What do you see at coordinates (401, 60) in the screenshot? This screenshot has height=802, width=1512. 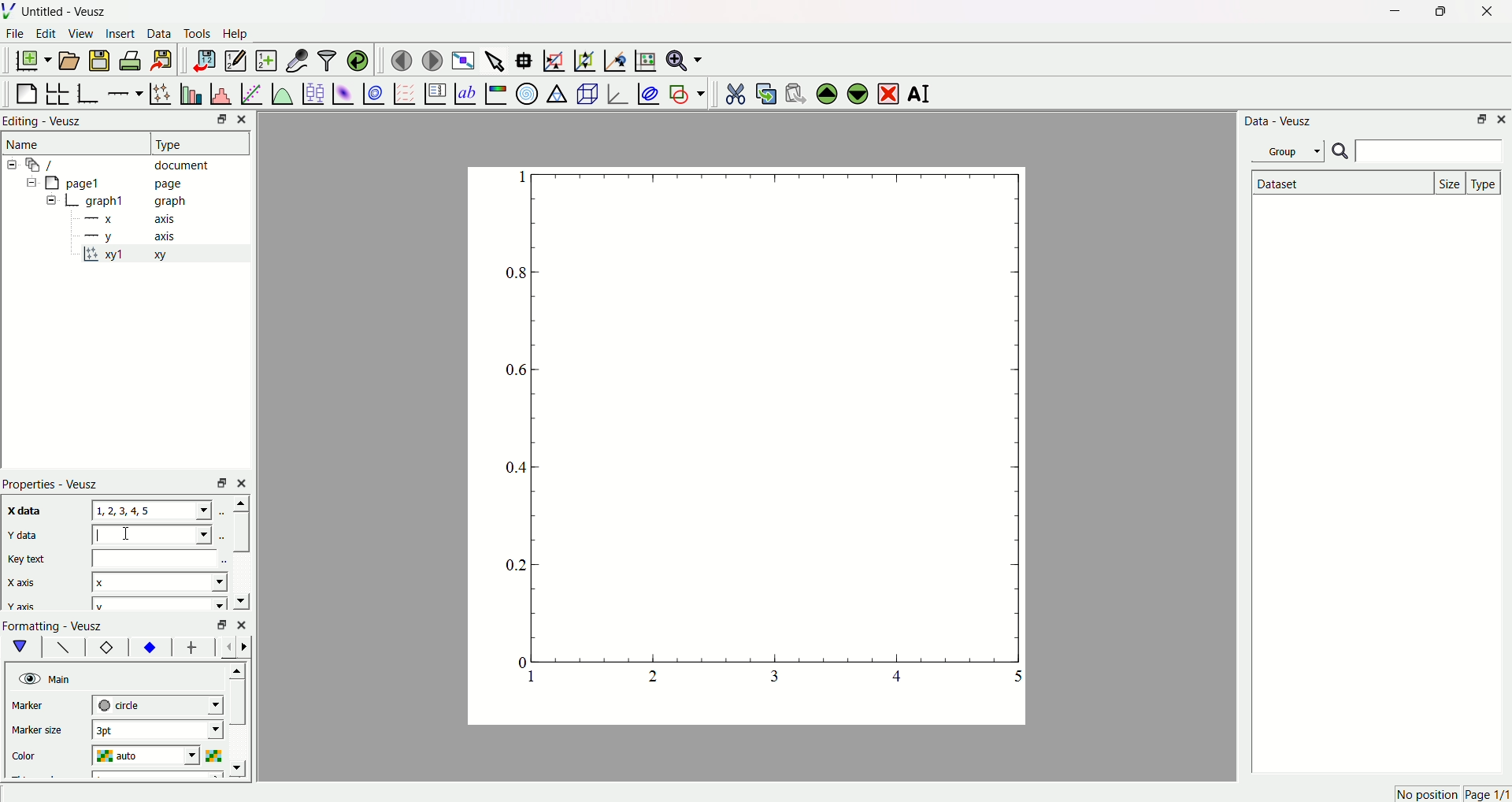 I see `move to previous page` at bounding box center [401, 60].